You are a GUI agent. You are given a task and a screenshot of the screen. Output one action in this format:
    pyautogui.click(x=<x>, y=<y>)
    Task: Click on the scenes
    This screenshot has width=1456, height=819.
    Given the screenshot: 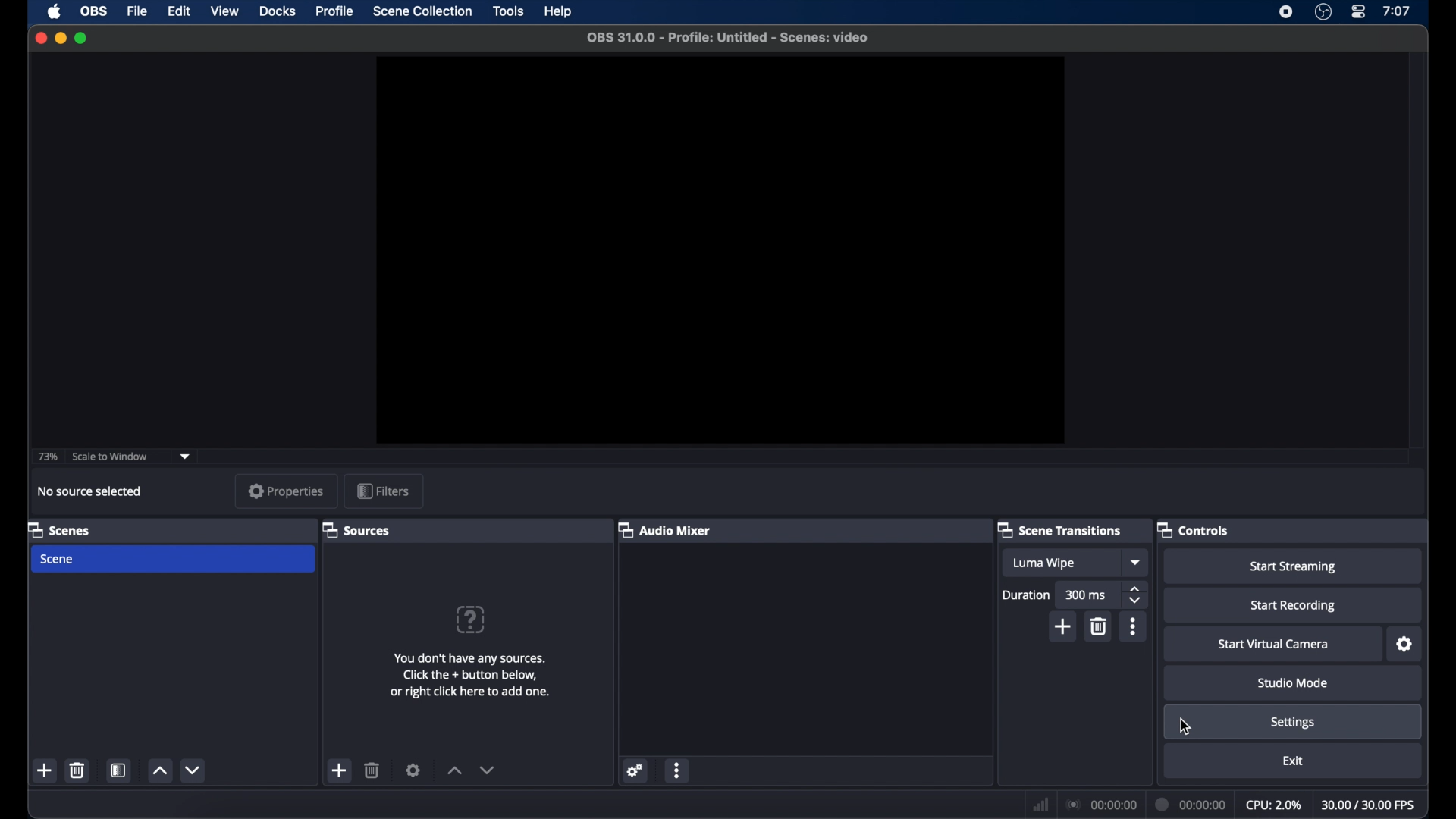 What is the action you would take?
    pyautogui.click(x=58, y=530)
    